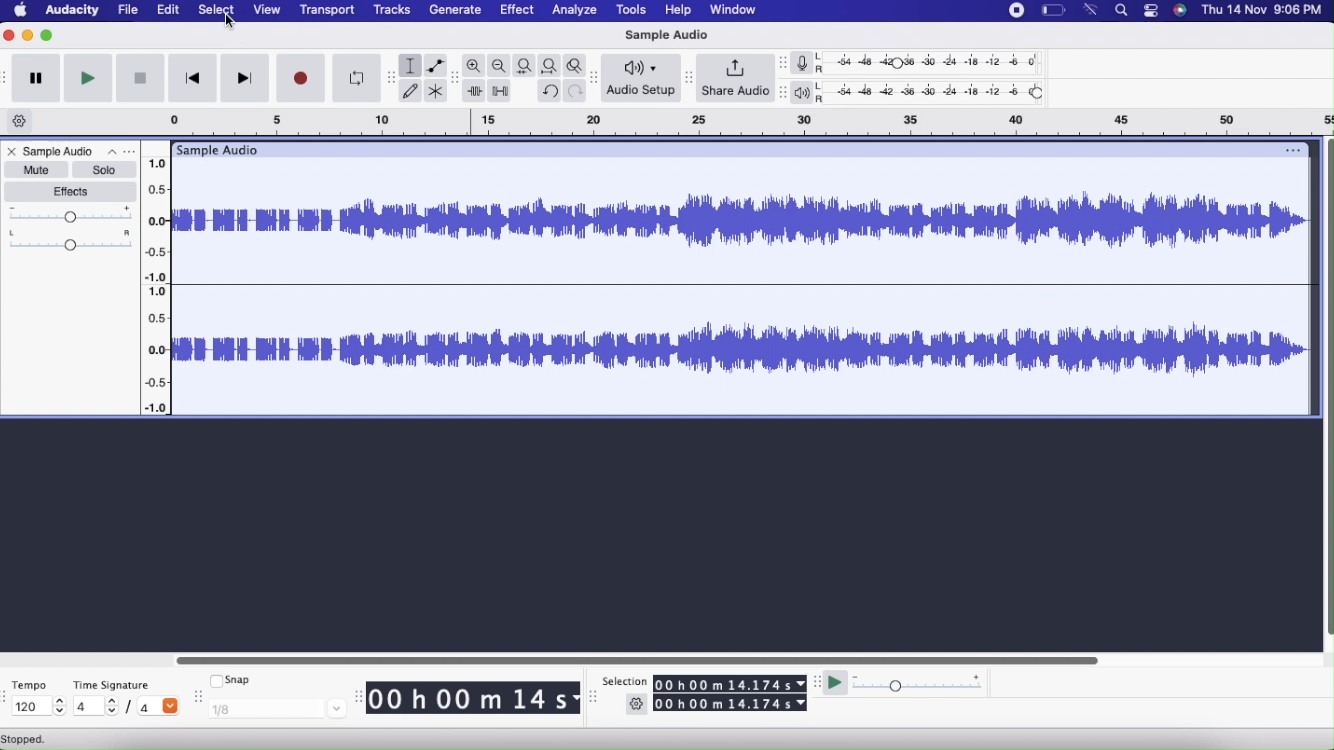 Image resolution: width=1334 pixels, height=750 pixels. What do you see at coordinates (665, 38) in the screenshot?
I see `Sample Audio` at bounding box center [665, 38].